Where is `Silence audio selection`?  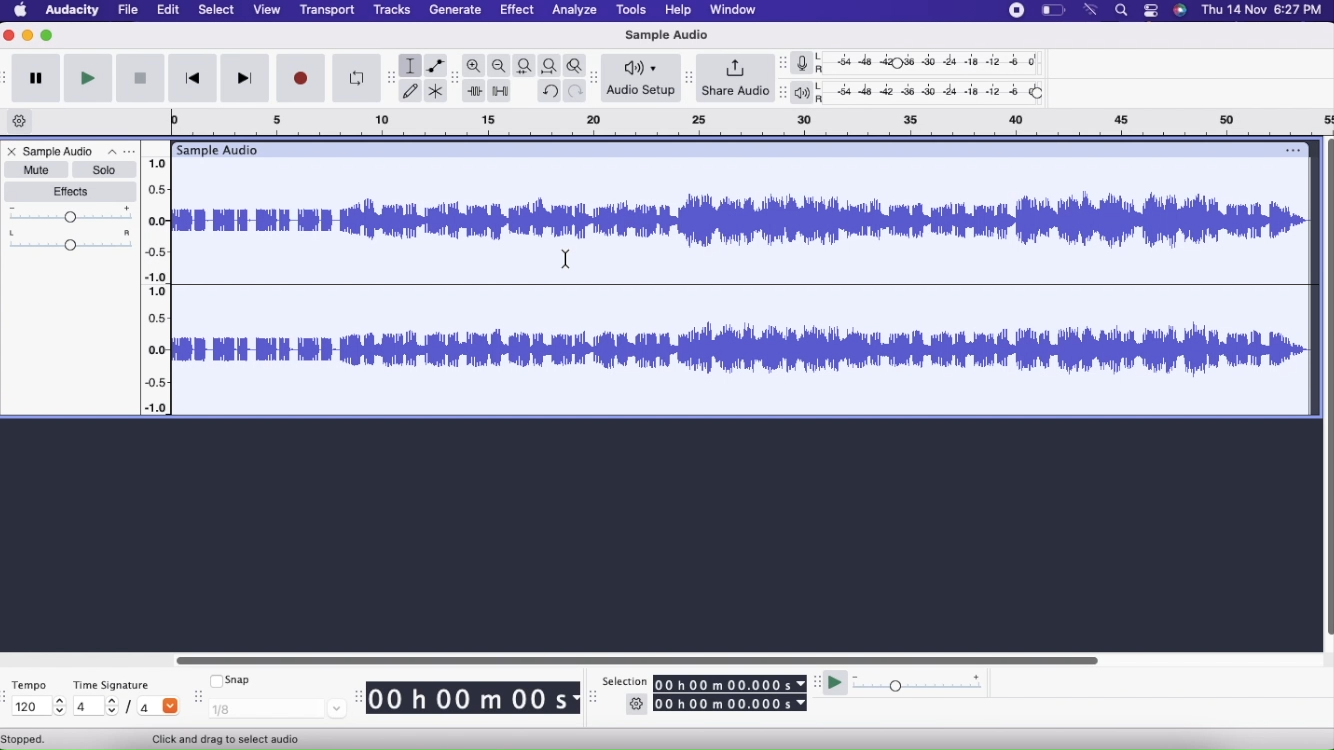
Silence audio selection is located at coordinates (499, 91).